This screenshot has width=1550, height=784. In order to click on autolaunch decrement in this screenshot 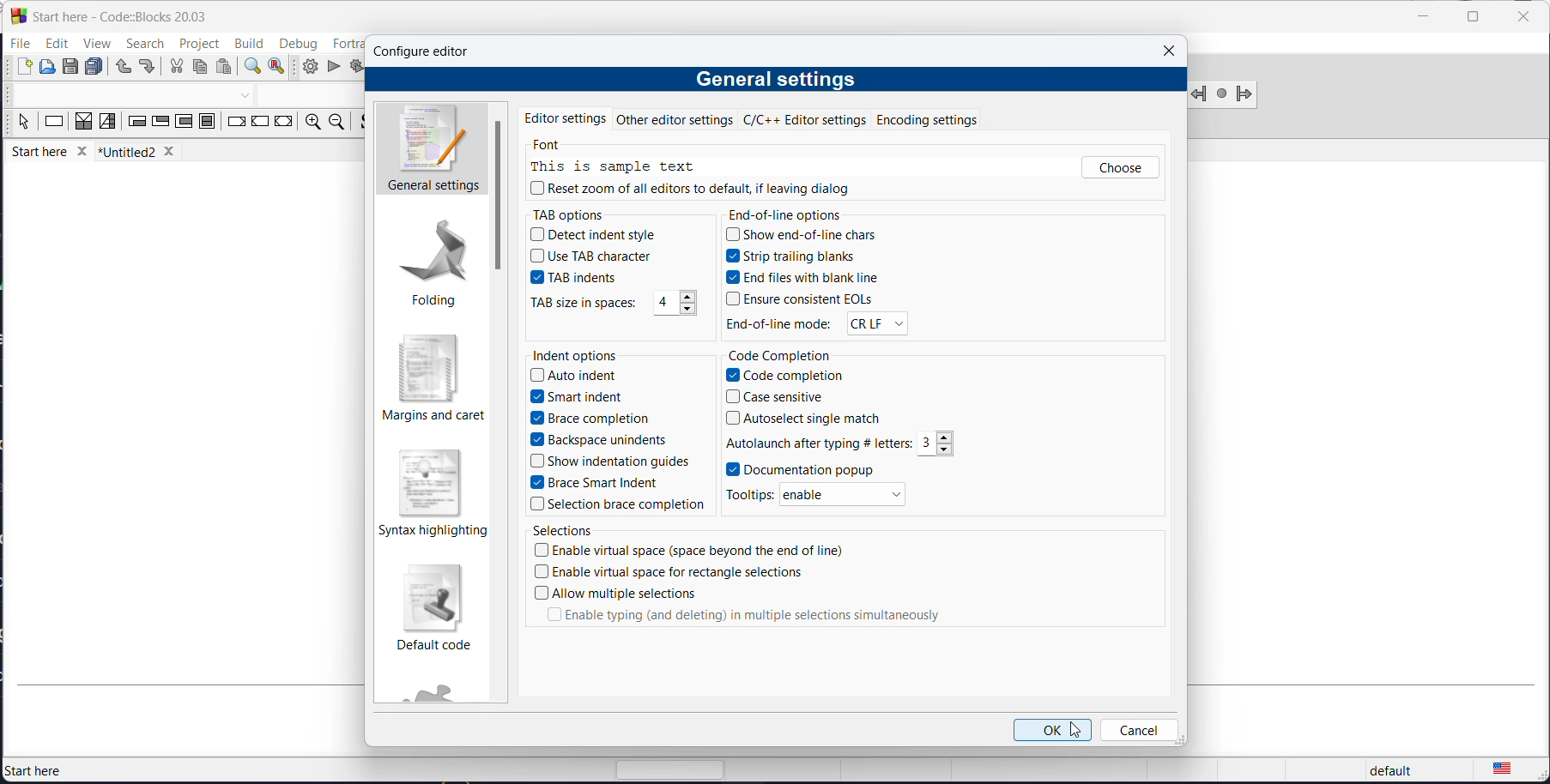, I will do `click(950, 449)`.